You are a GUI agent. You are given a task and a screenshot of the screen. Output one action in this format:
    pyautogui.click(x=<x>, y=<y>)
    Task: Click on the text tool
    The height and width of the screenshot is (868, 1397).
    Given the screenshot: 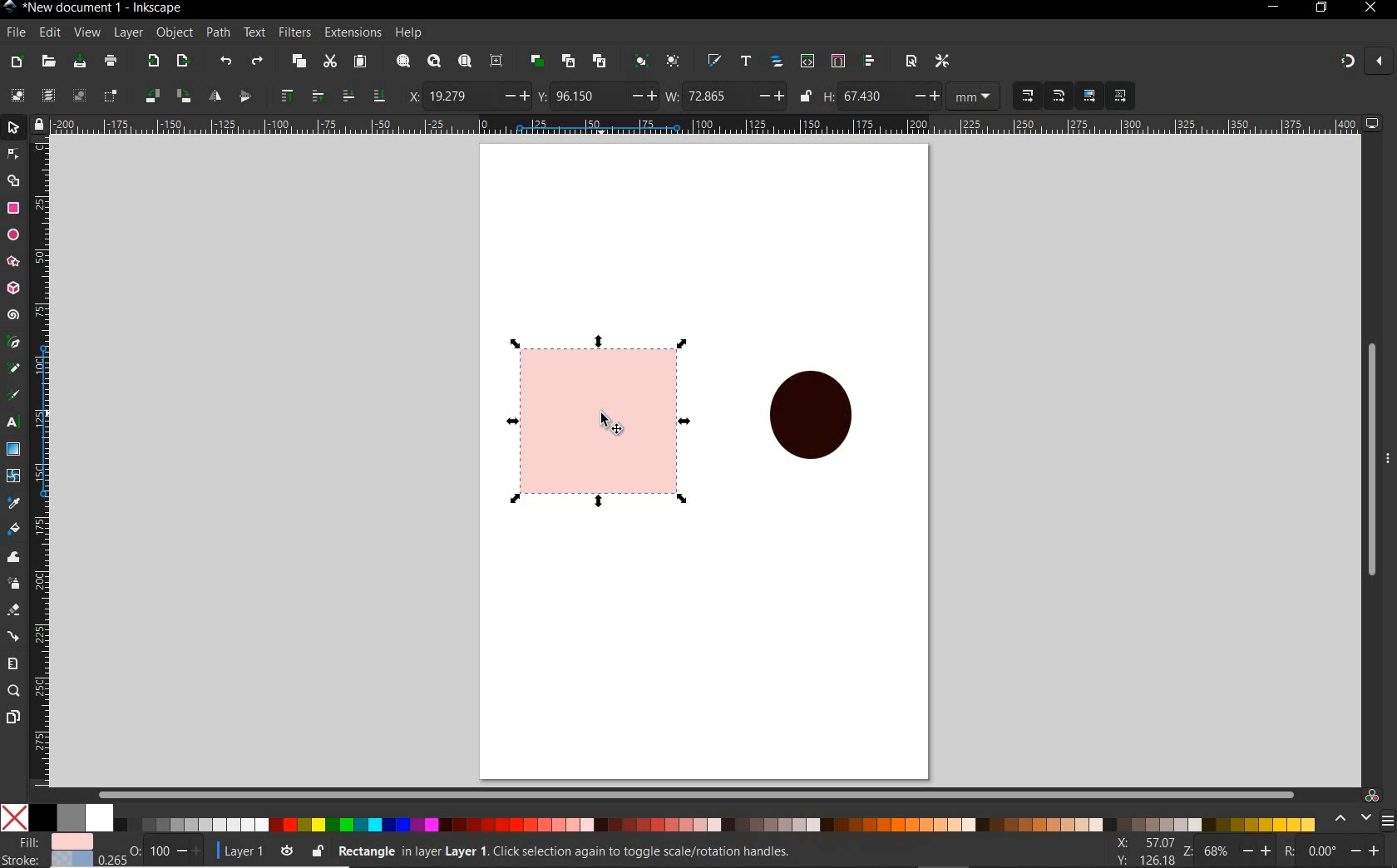 What is the action you would take?
    pyautogui.click(x=11, y=423)
    